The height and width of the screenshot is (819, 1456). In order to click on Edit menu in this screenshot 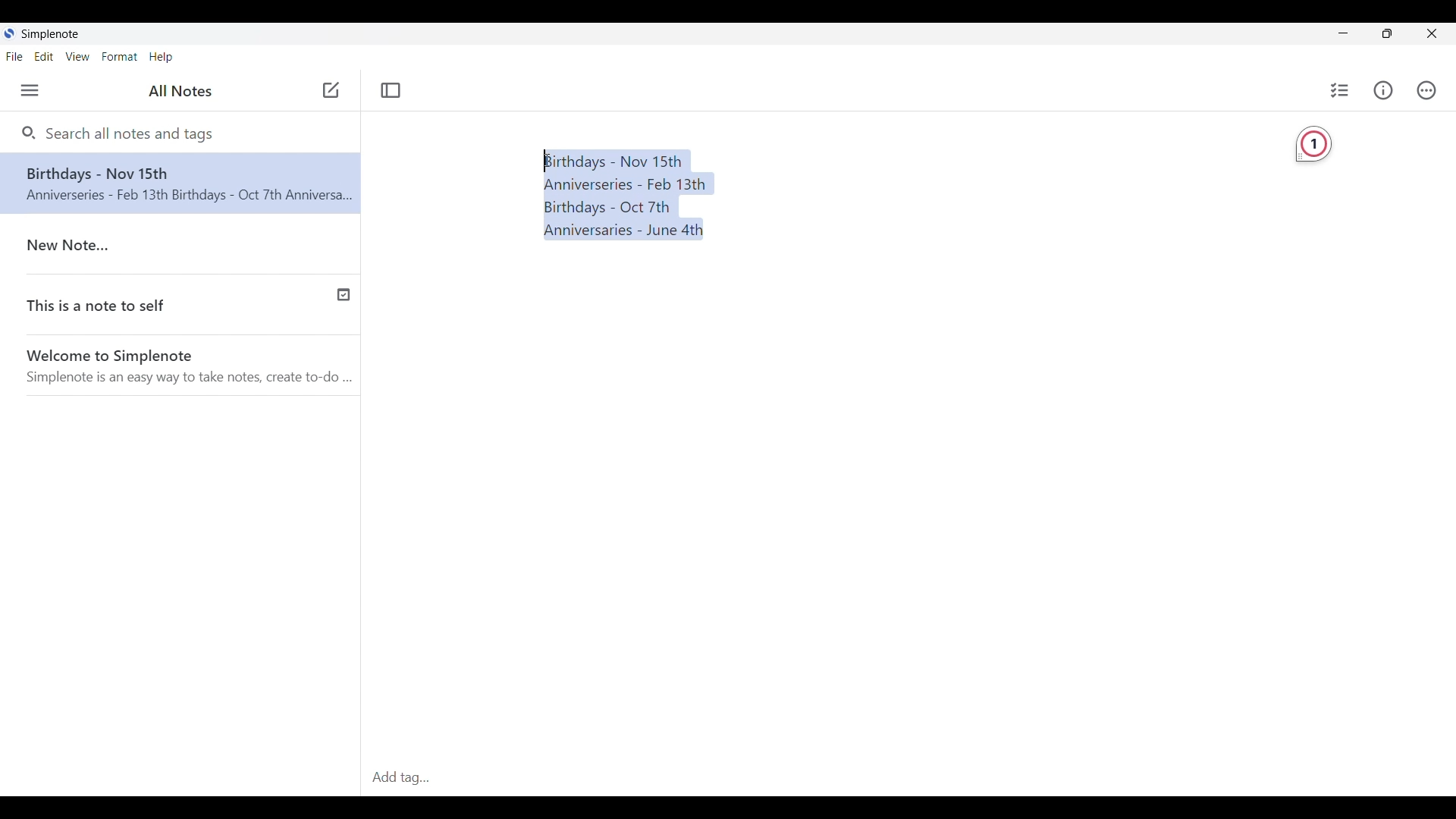, I will do `click(44, 57)`.